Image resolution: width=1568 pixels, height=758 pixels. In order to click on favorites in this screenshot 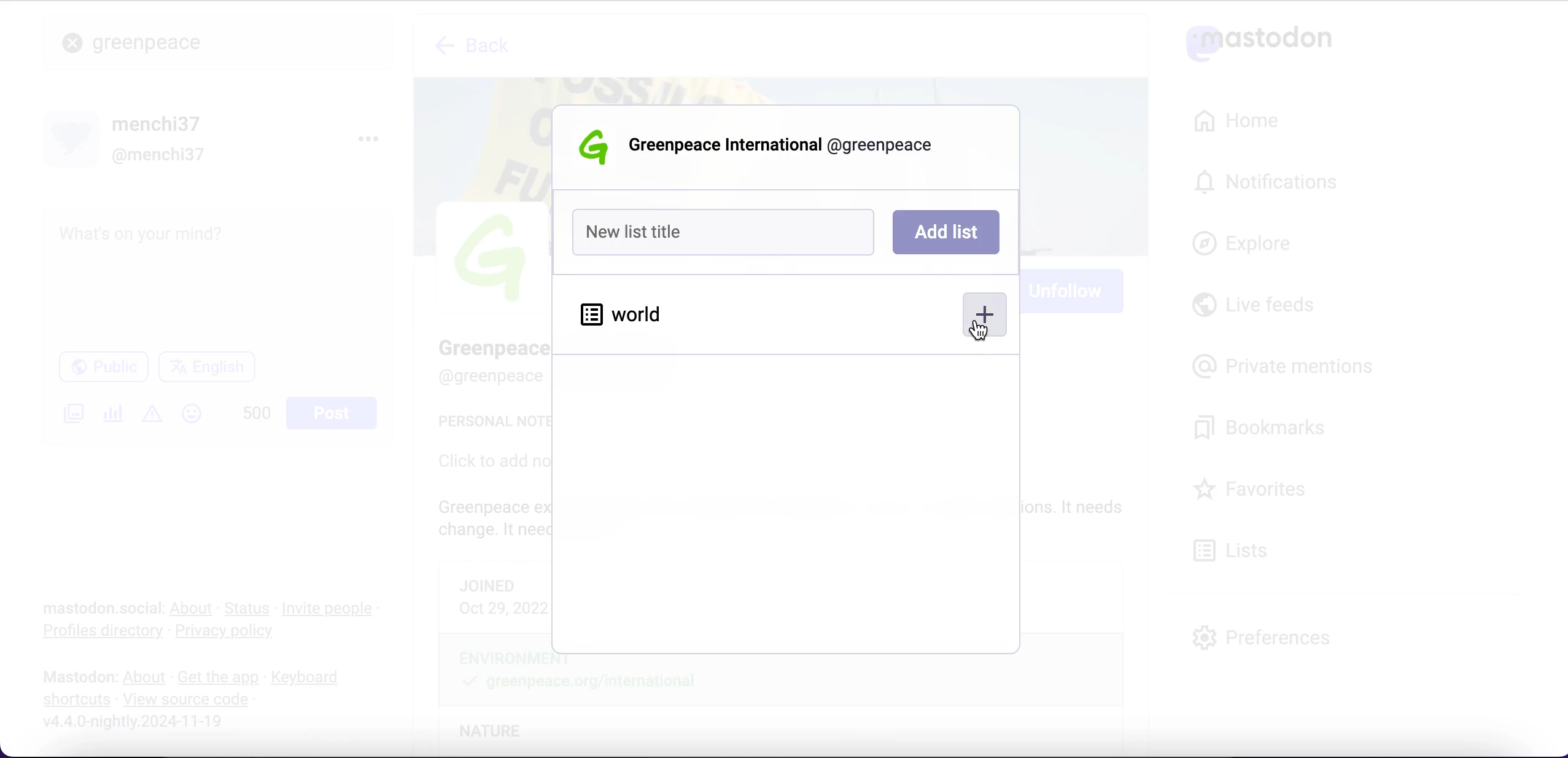, I will do `click(1254, 491)`.